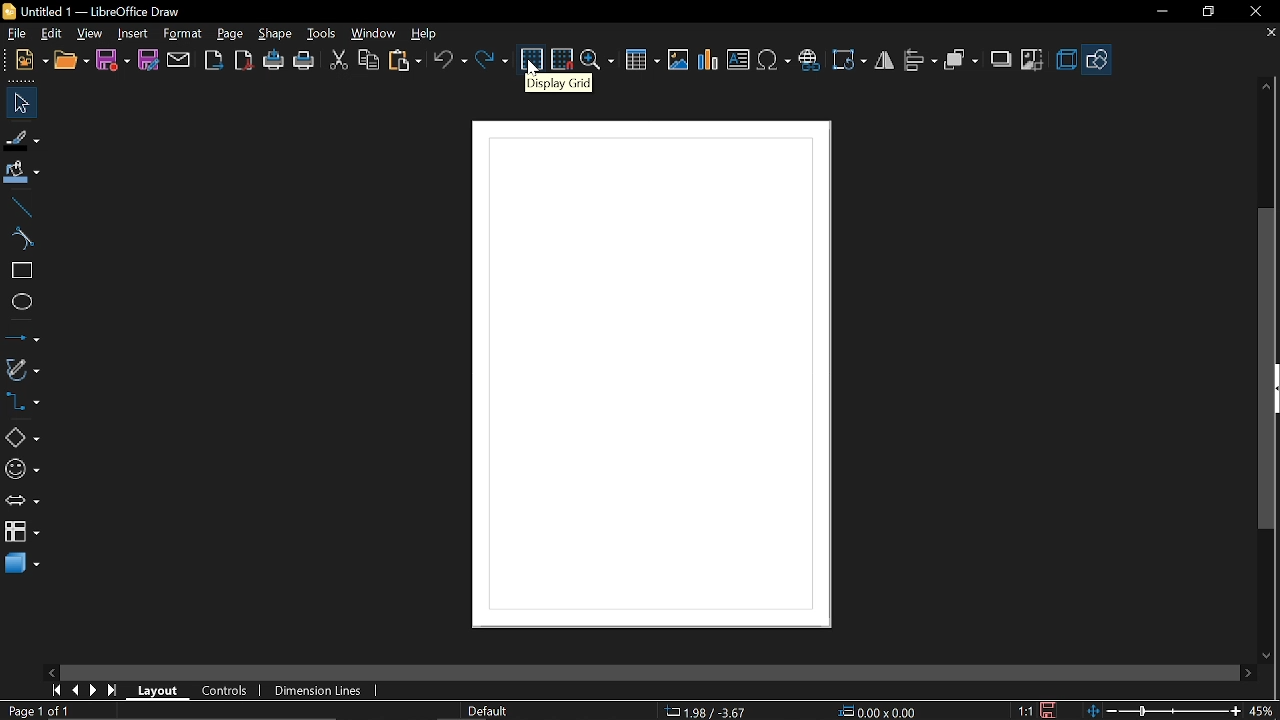  I want to click on Vertical scrollbar, so click(1264, 367).